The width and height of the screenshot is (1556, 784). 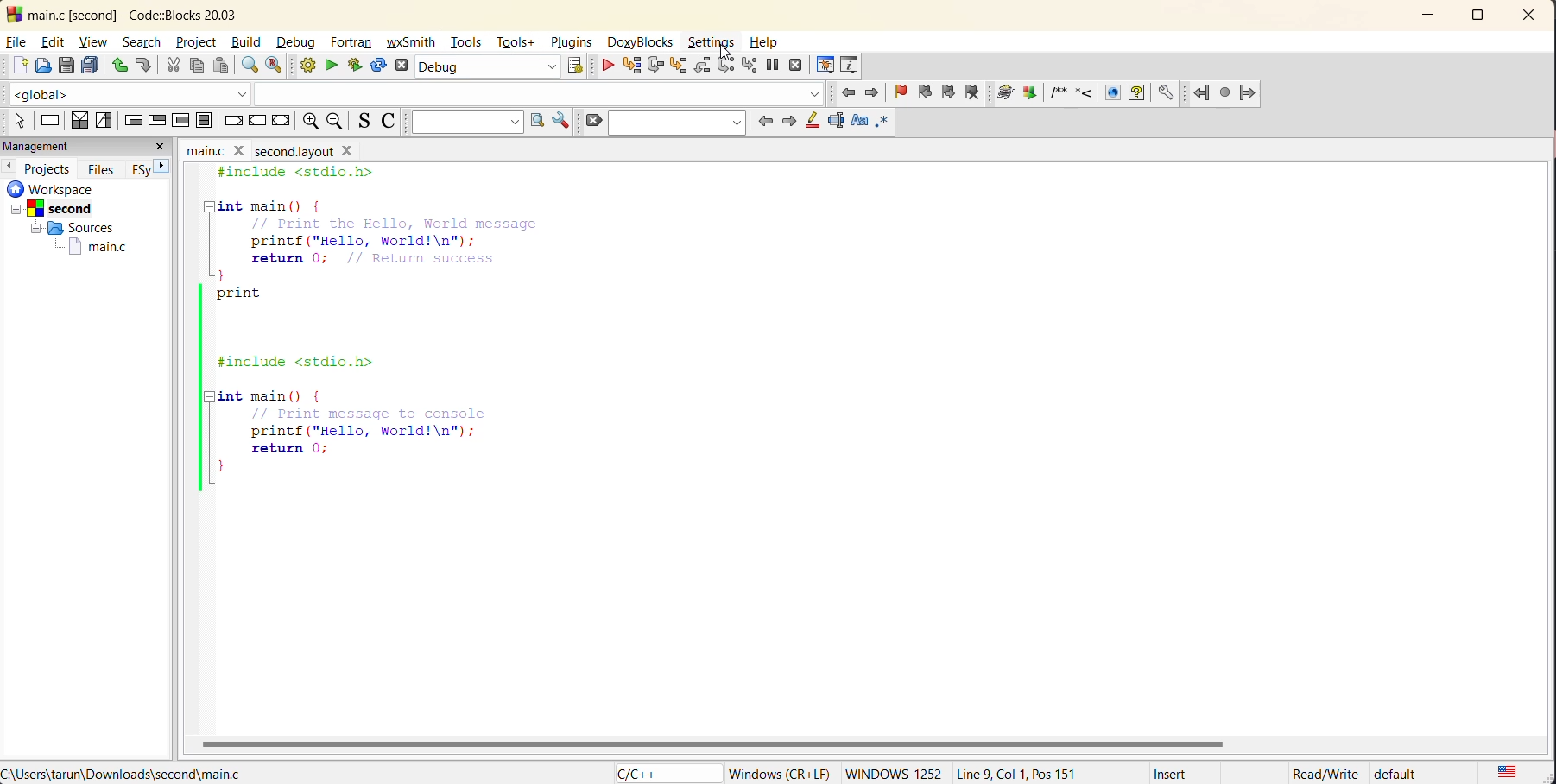 I want to click on show options window, so click(x=561, y=123).